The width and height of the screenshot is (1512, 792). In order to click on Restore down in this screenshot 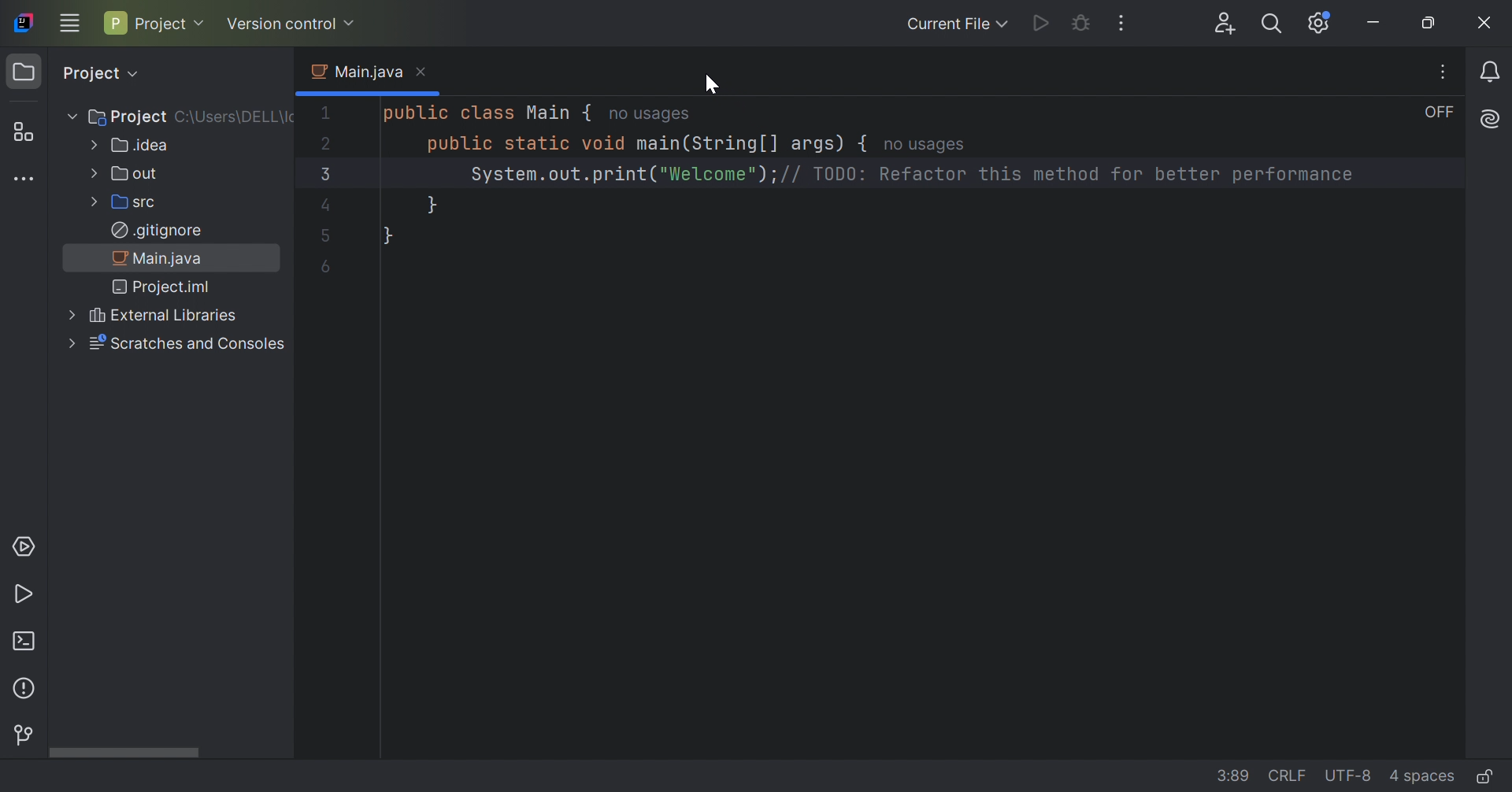, I will do `click(1429, 24)`.